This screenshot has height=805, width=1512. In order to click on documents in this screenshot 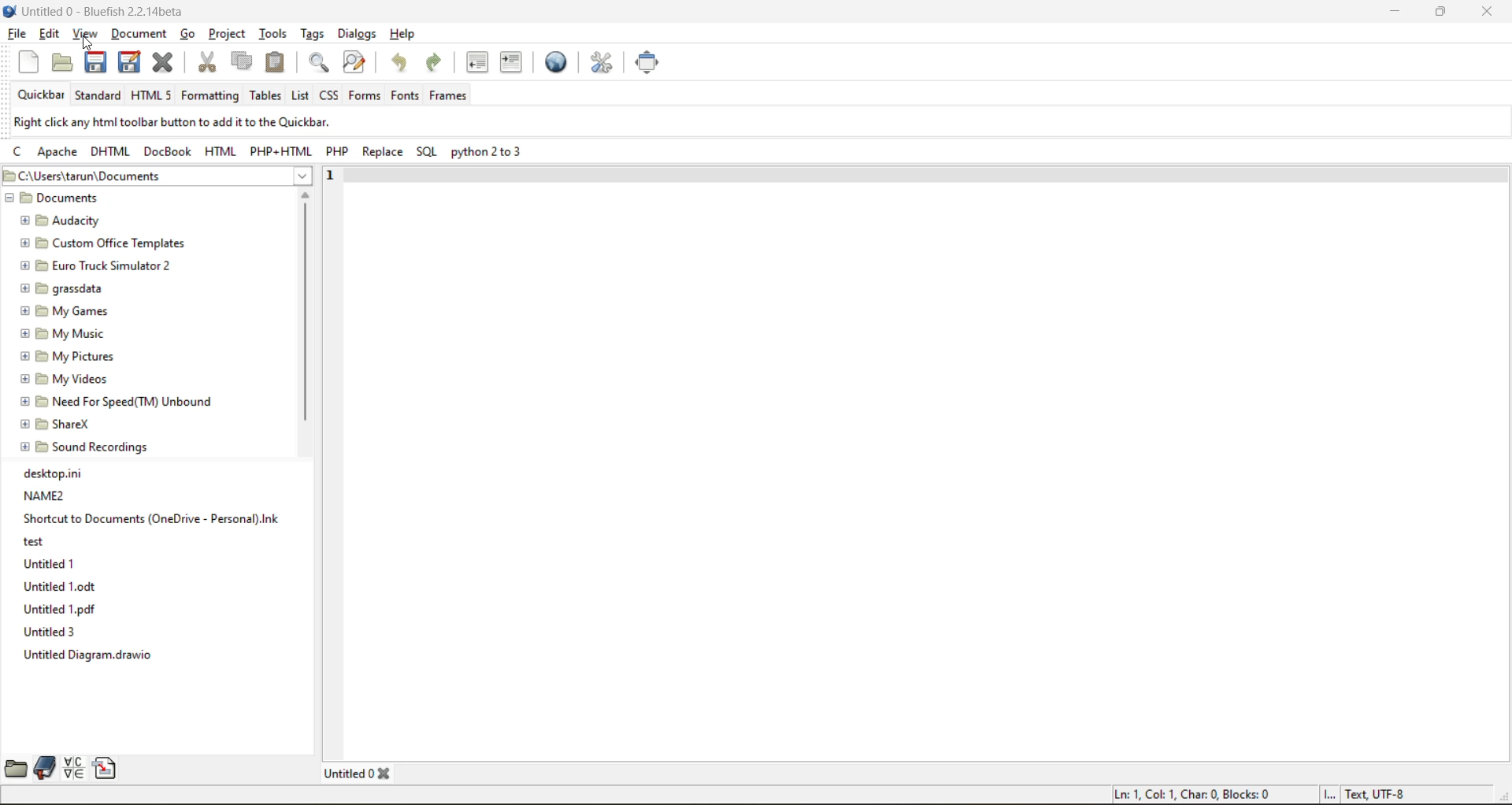, I will do `click(69, 198)`.